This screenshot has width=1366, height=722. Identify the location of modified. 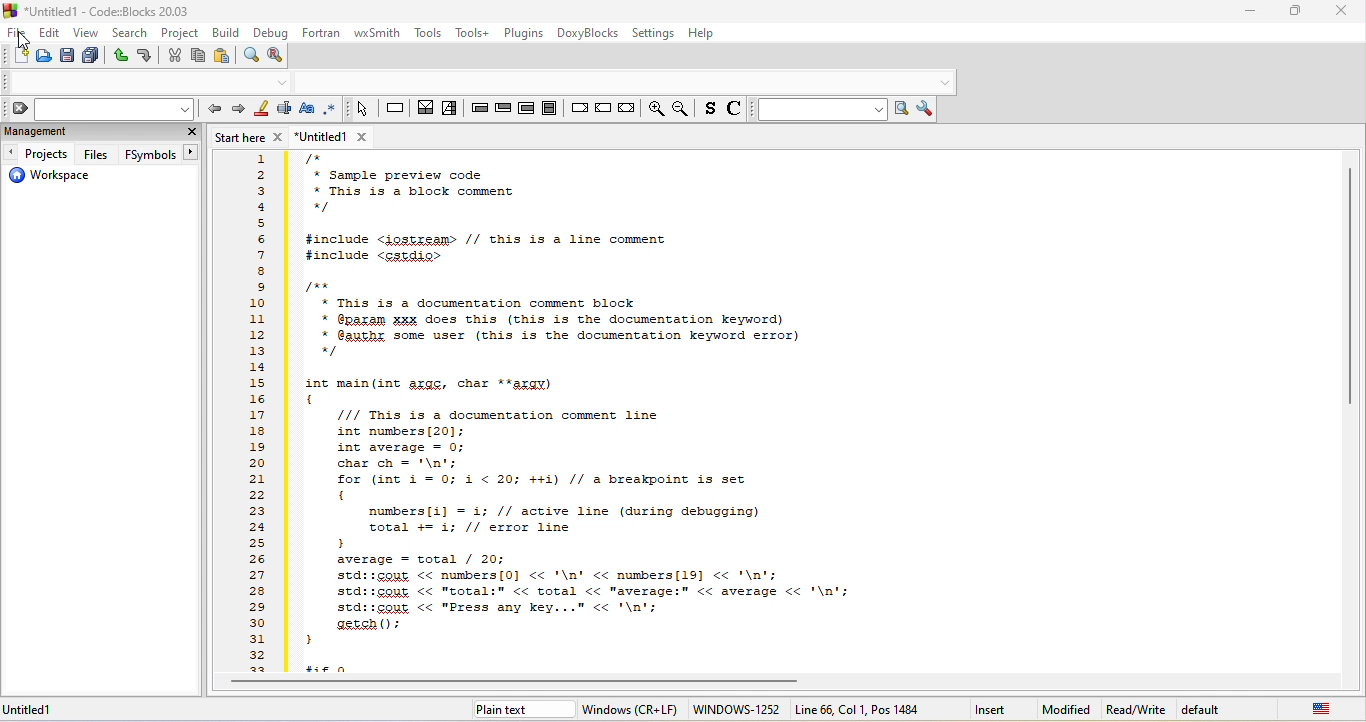
(1069, 710).